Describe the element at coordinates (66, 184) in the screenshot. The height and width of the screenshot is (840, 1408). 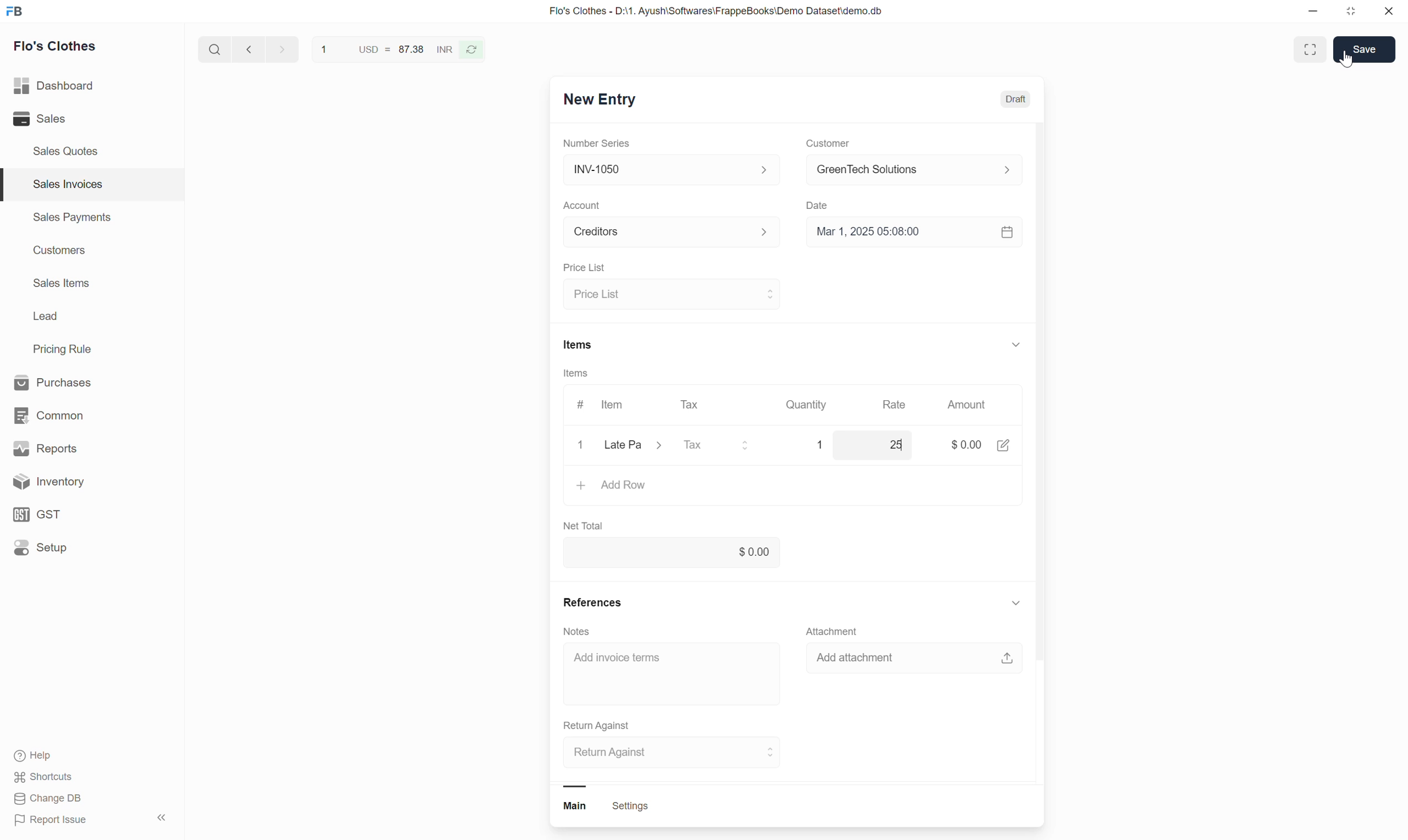
I see `Sales Invoices` at that location.